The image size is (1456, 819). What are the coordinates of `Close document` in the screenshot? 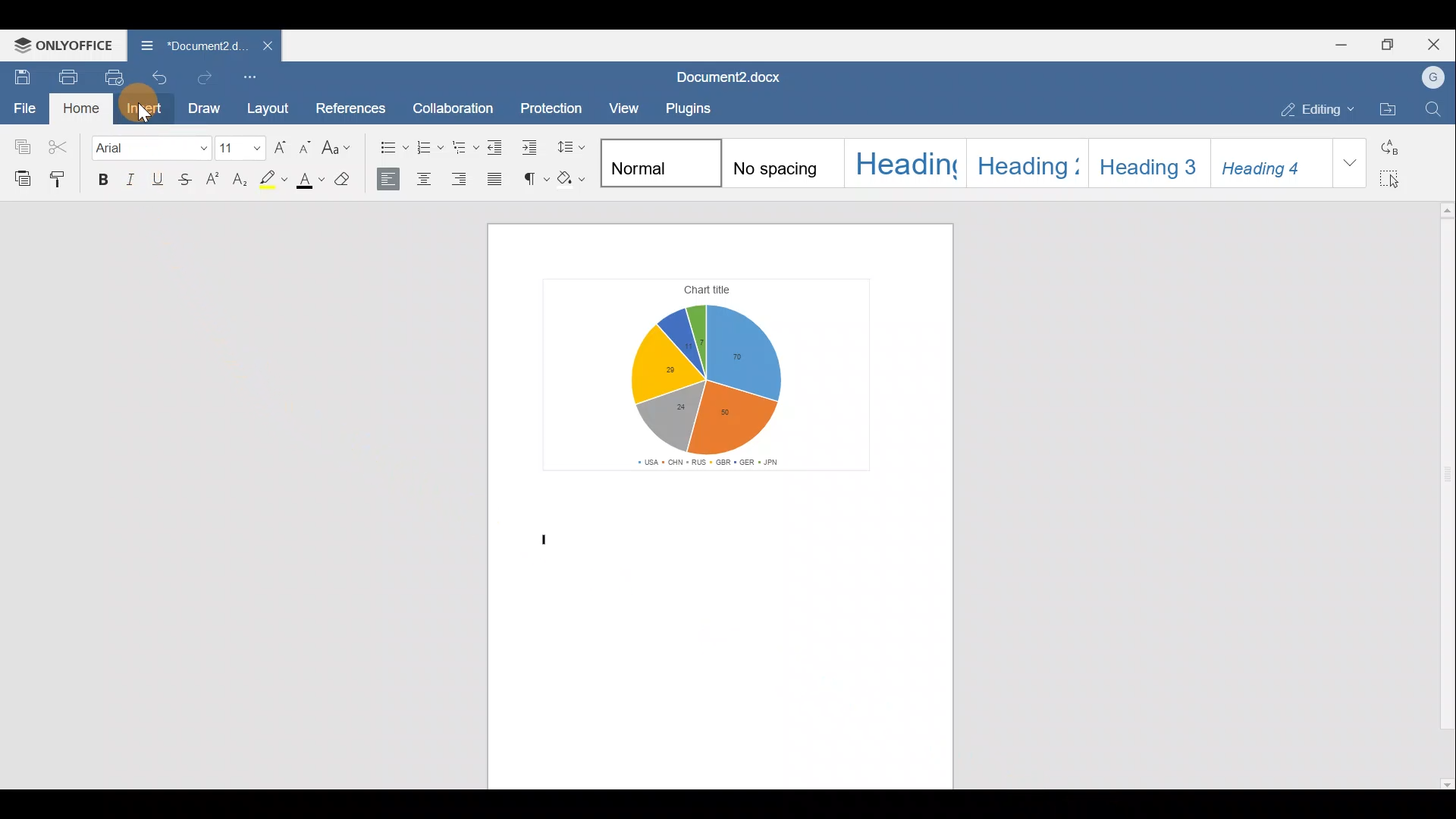 It's located at (259, 47).